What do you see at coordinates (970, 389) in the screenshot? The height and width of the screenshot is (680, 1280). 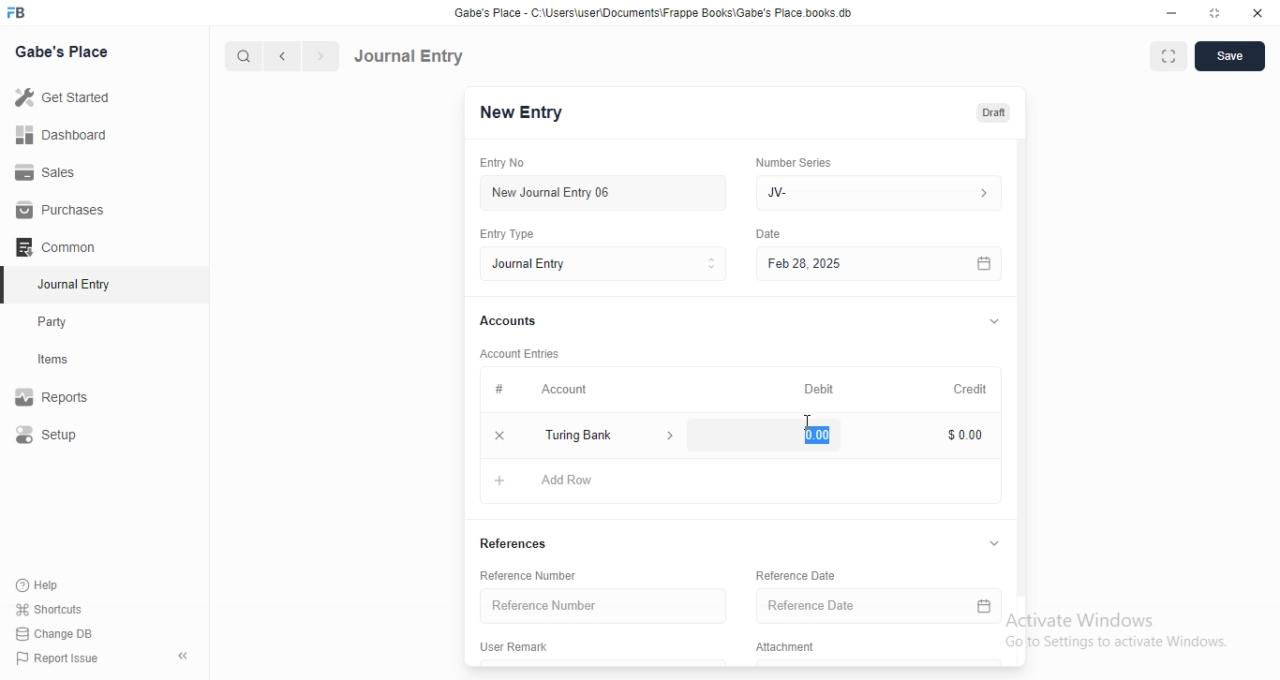 I see `Credit` at bounding box center [970, 389].